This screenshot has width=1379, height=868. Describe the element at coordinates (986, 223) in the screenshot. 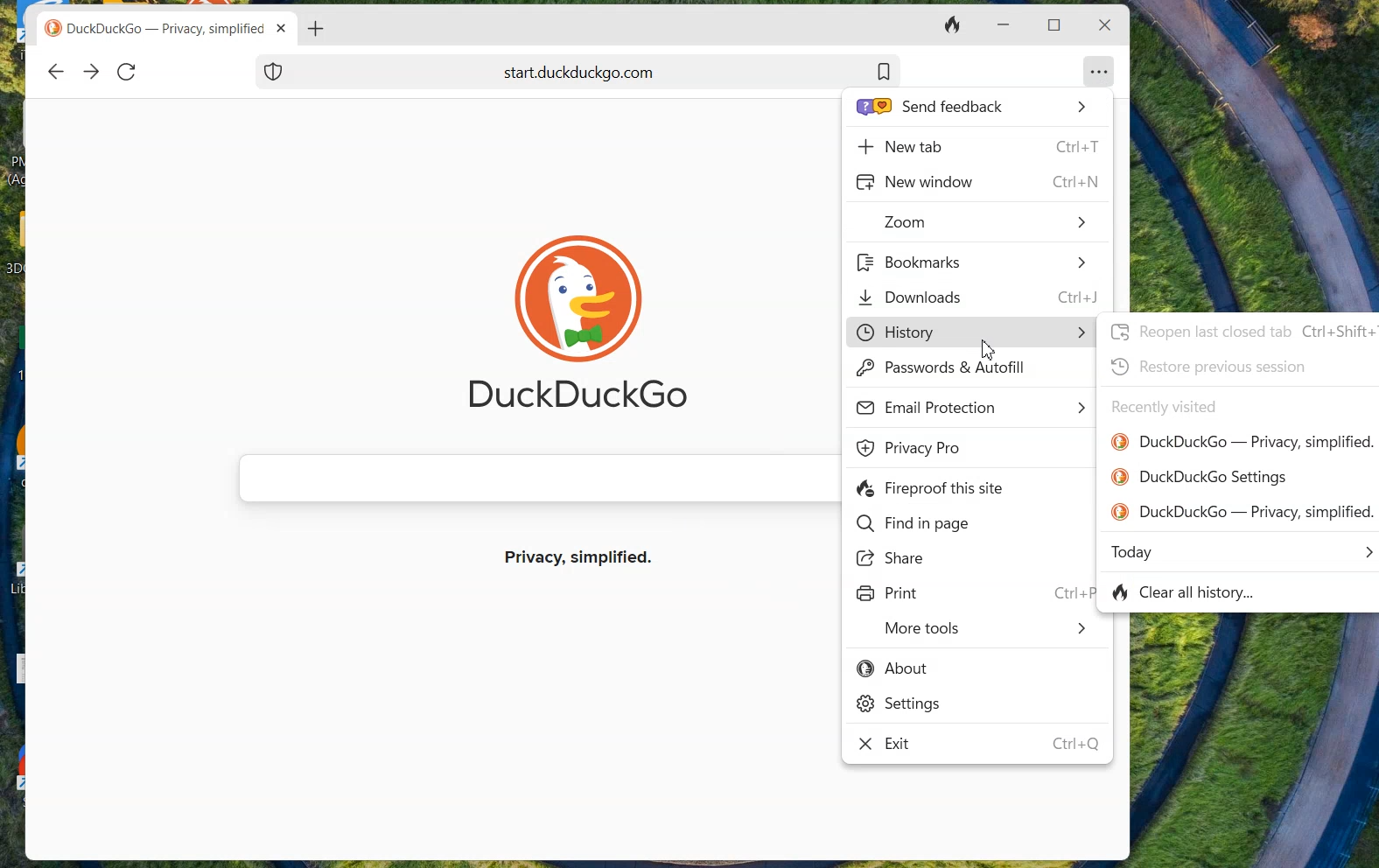

I see `Zoom` at that location.